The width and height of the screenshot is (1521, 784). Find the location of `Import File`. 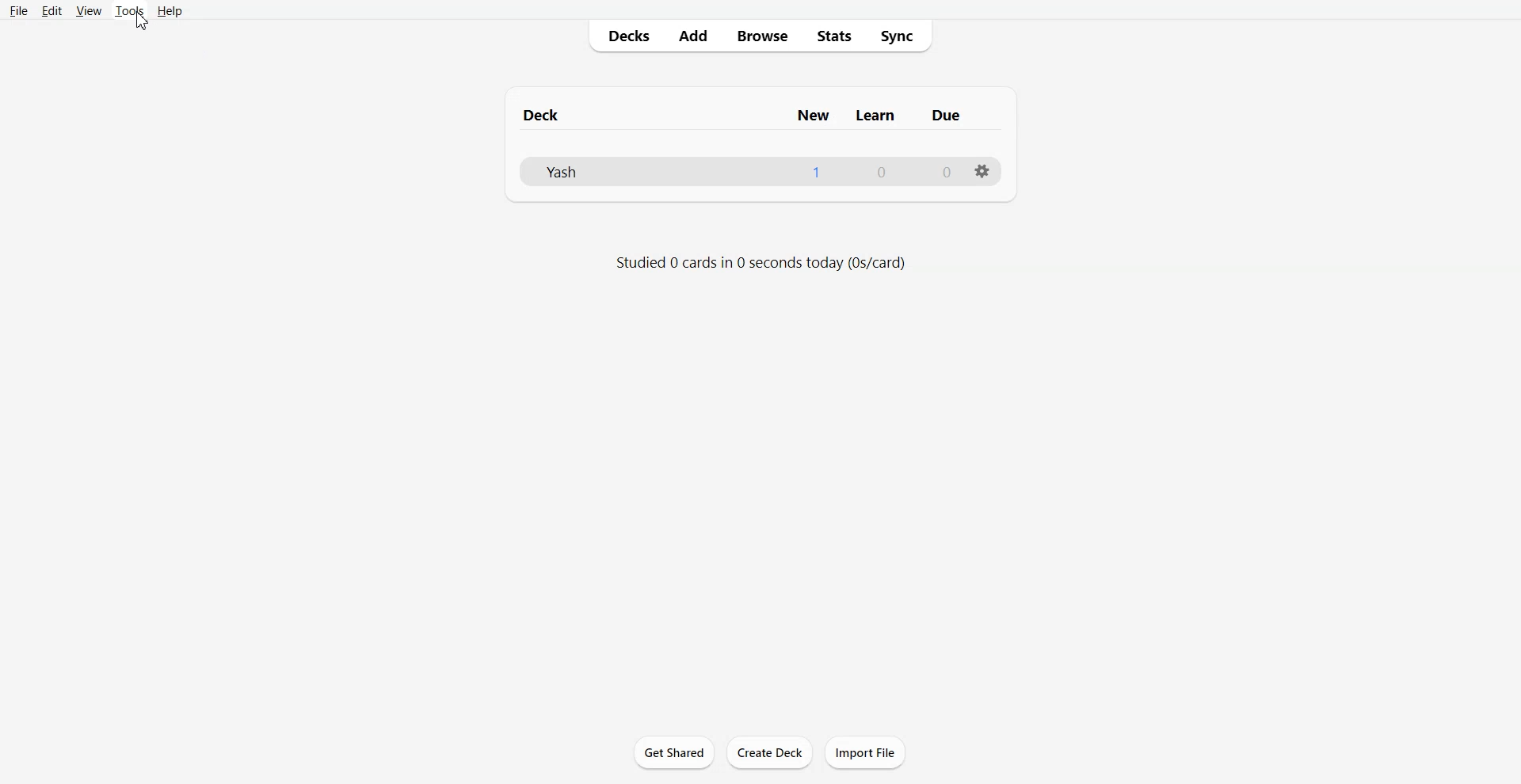

Import File is located at coordinates (865, 752).